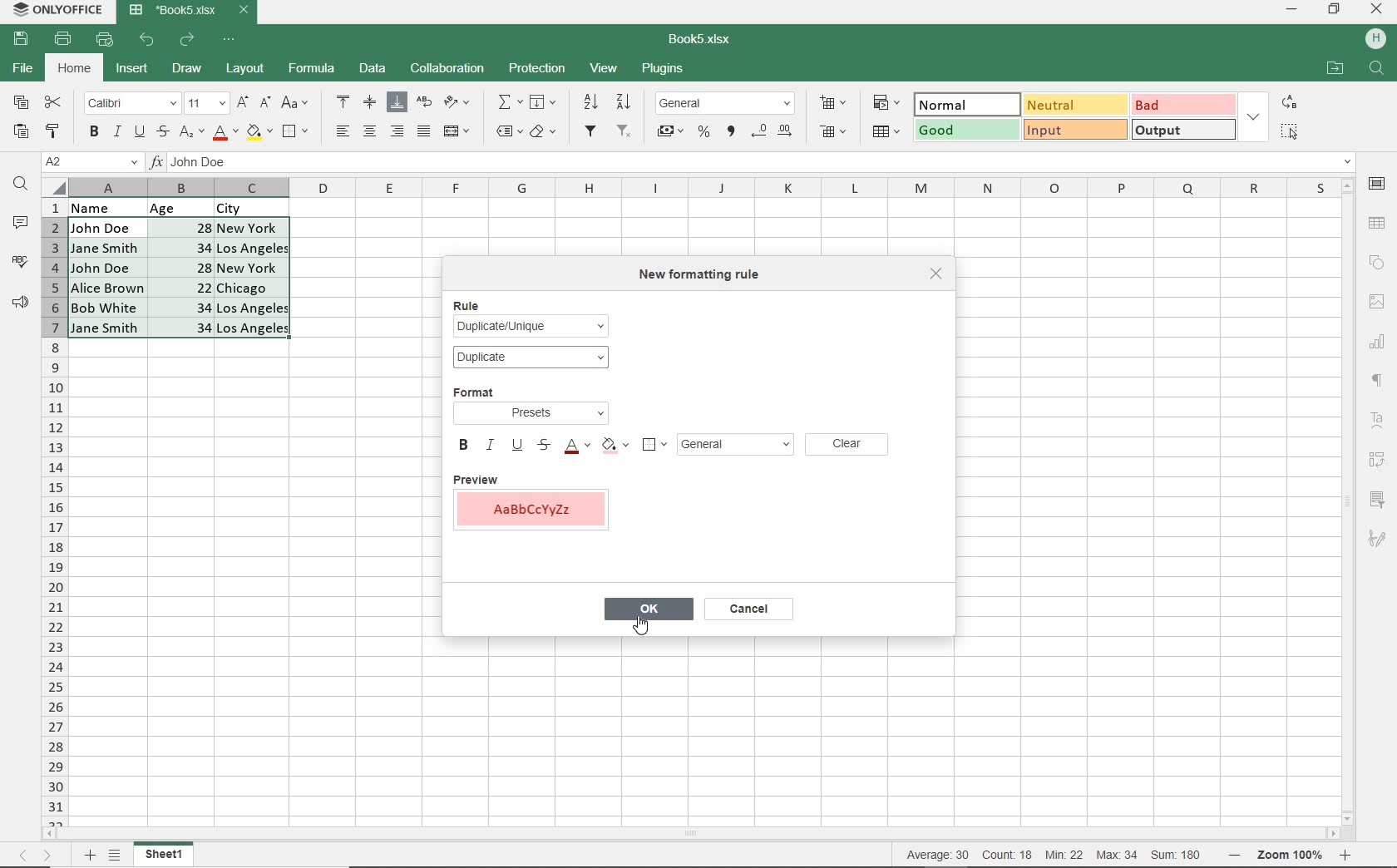 The image size is (1397, 868). I want to click on REDO, so click(189, 39).